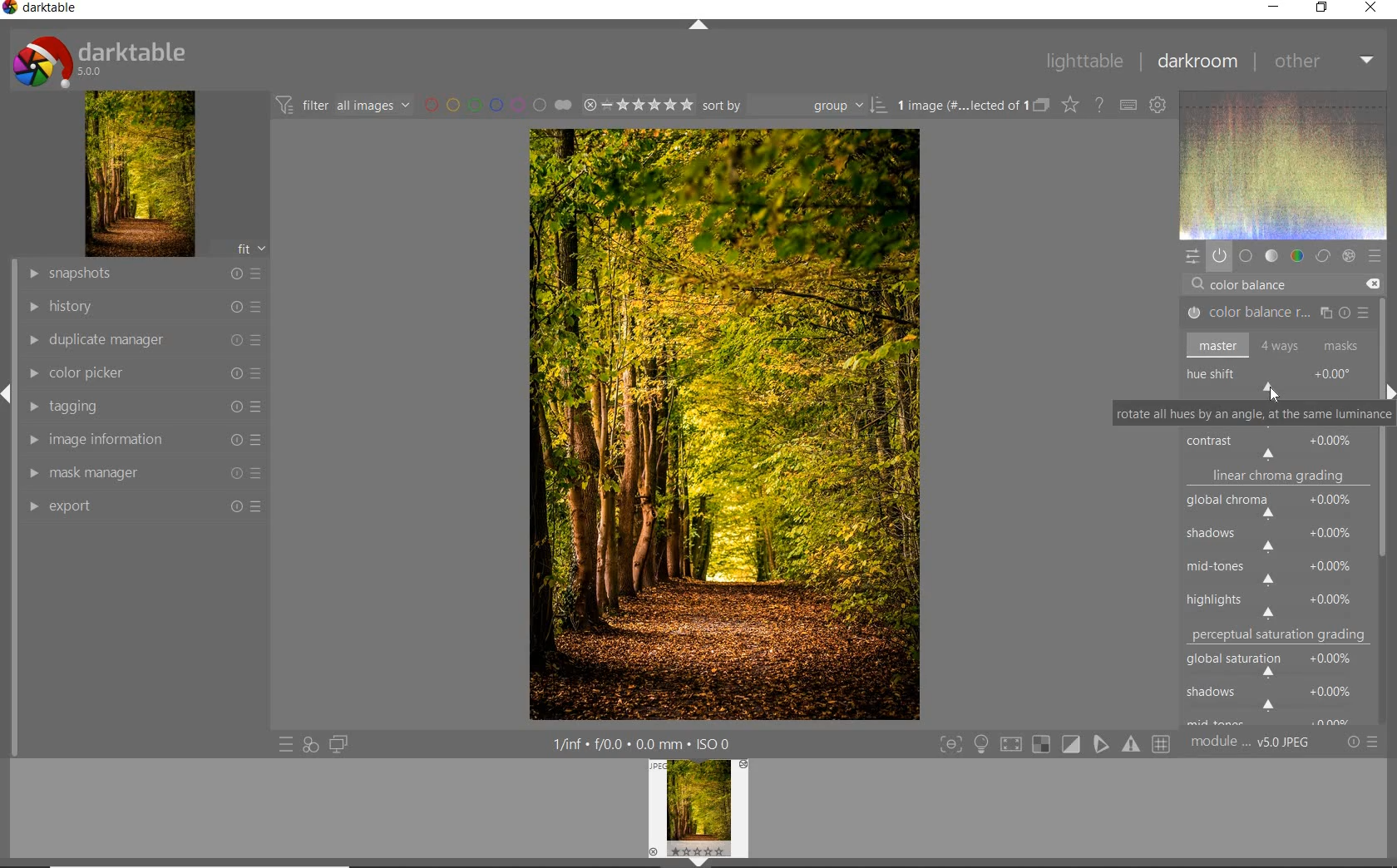 The width and height of the screenshot is (1397, 868). I want to click on define keyboard shortcut, so click(1128, 106).